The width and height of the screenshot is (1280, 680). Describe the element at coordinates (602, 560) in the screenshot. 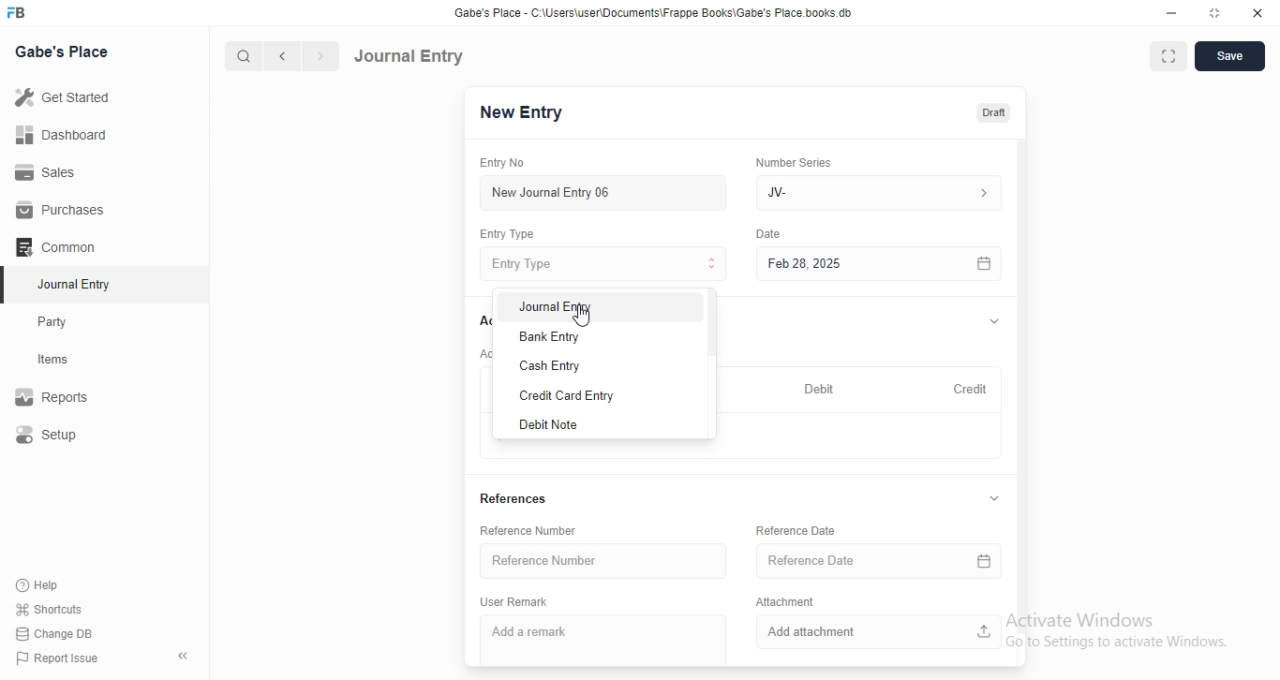

I see `Reference Number` at that location.